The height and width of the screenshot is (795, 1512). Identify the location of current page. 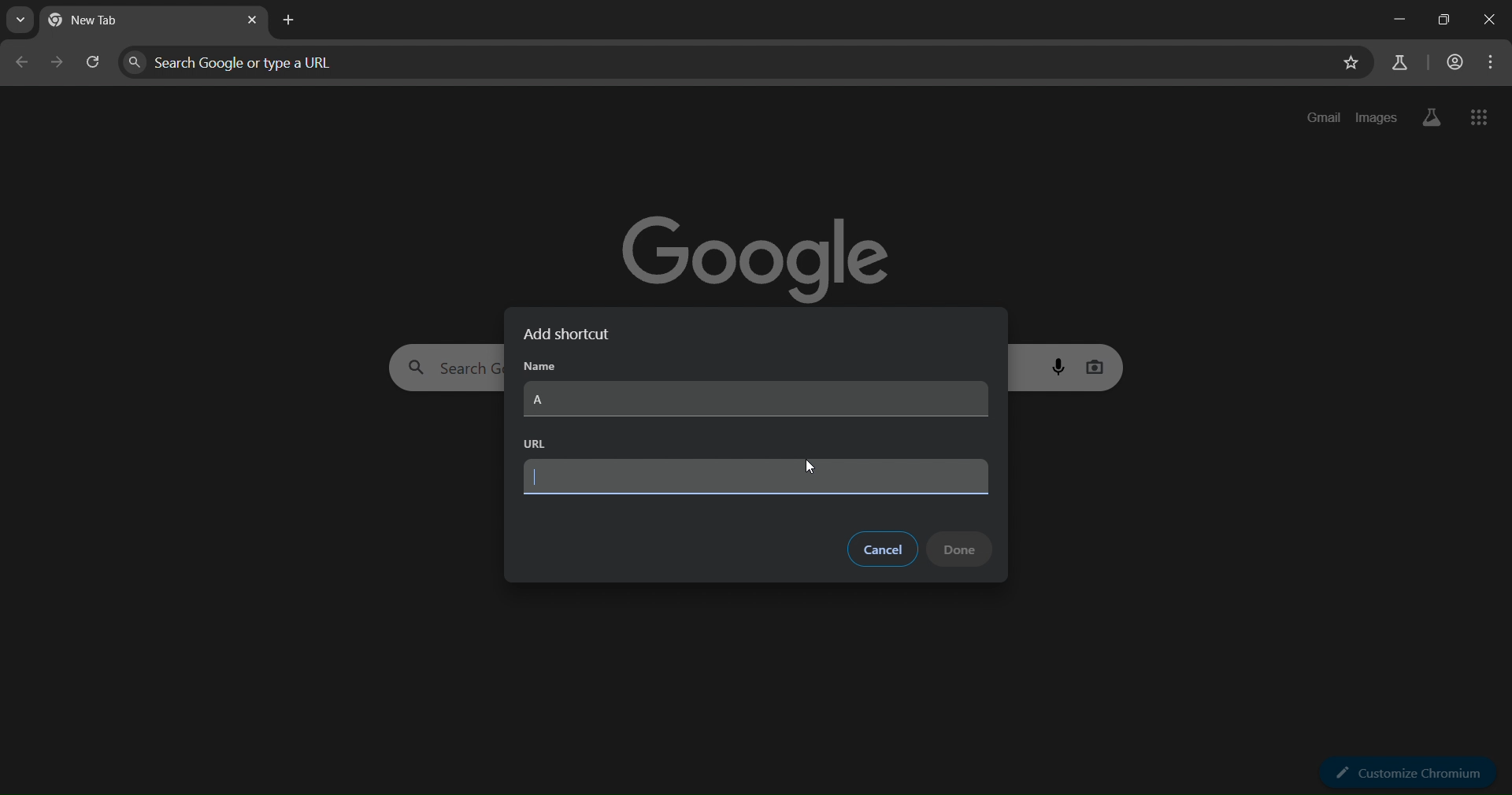
(110, 22).